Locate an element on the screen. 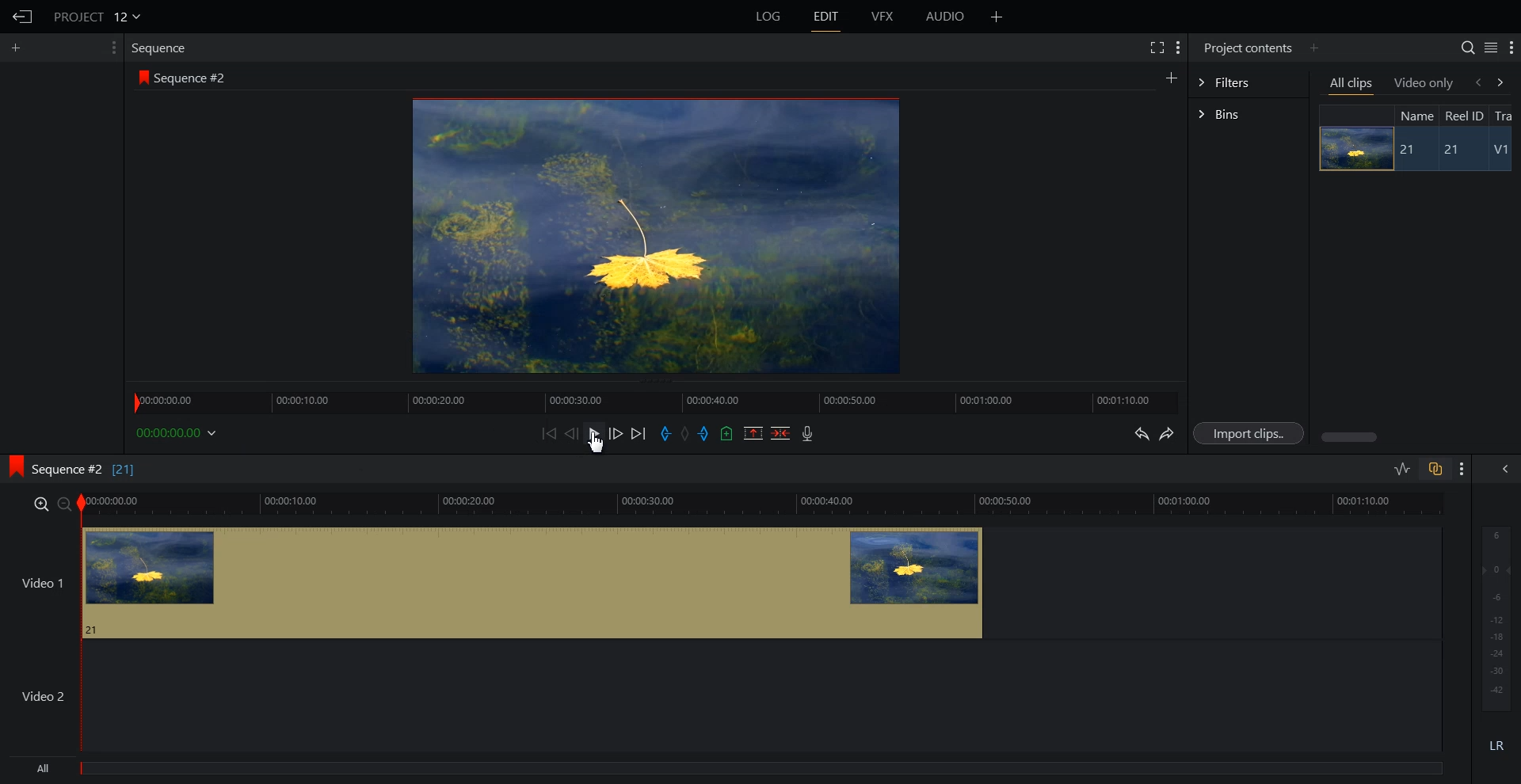 Image resolution: width=1521 pixels, height=784 pixels. VFX is located at coordinates (883, 17).